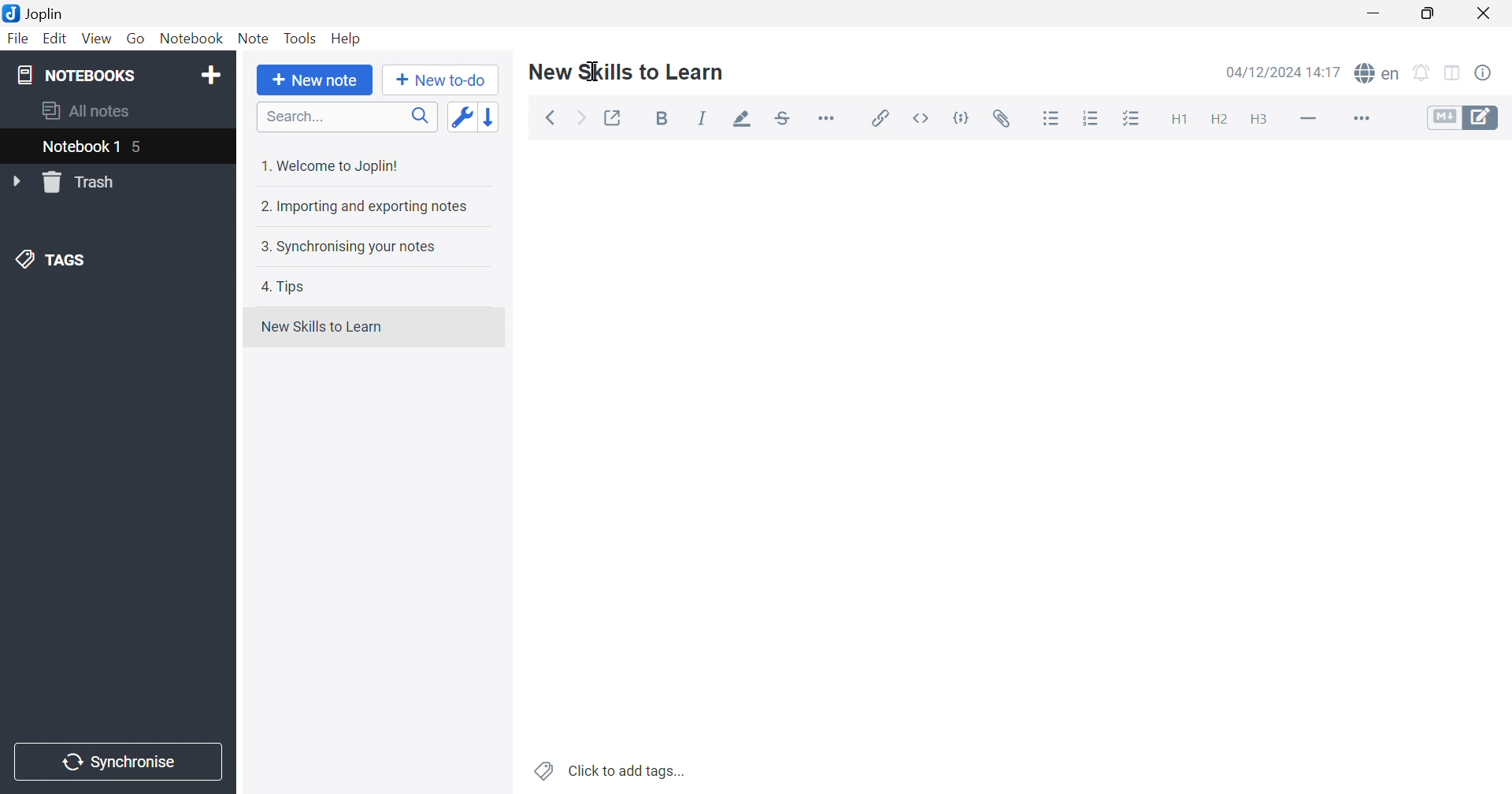 Image resolution: width=1512 pixels, height=794 pixels. Describe the element at coordinates (121, 762) in the screenshot. I see `Synchronize` at that location.